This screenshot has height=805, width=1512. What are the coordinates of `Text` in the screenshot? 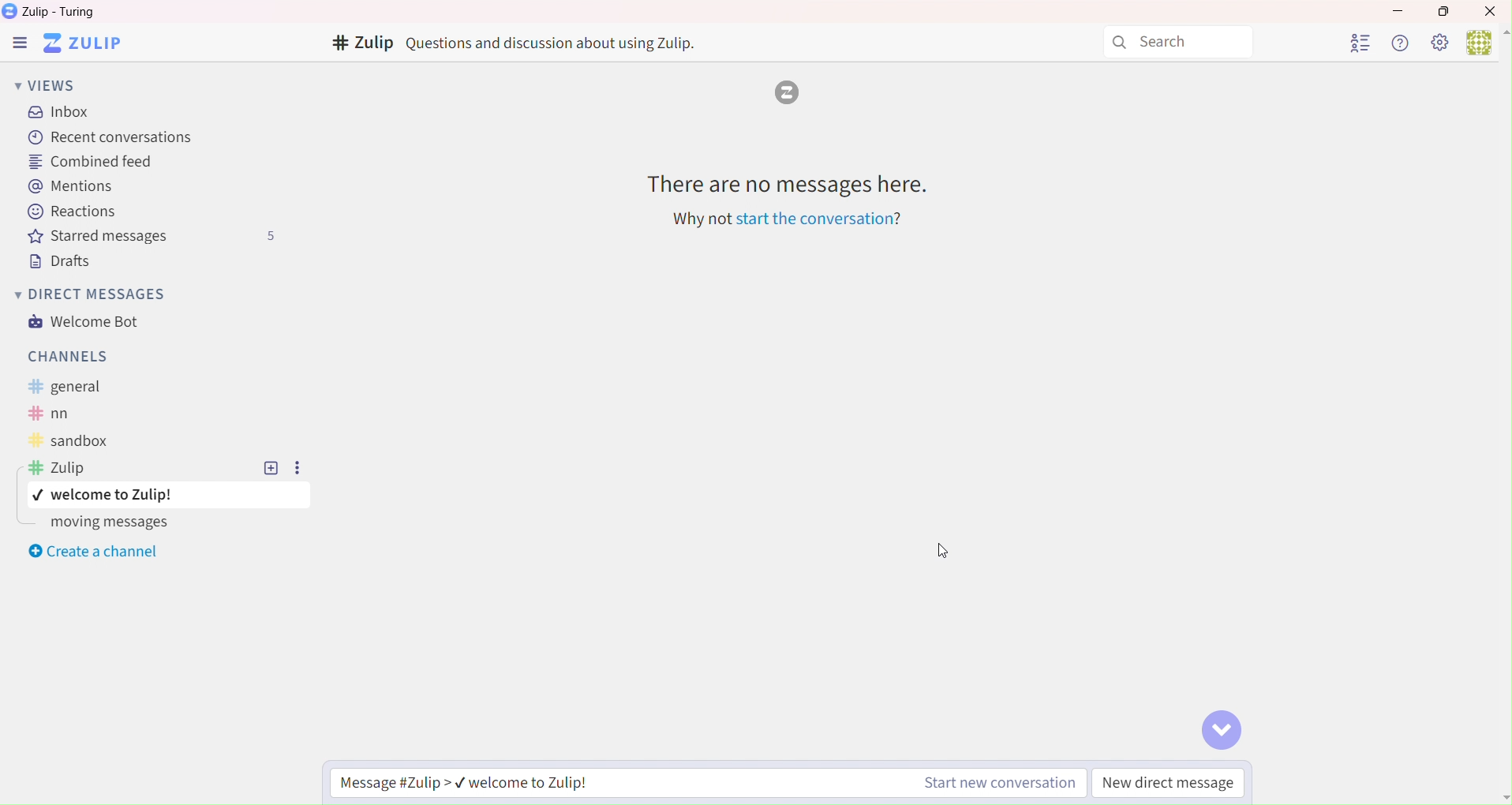 It's located at (789, 185).